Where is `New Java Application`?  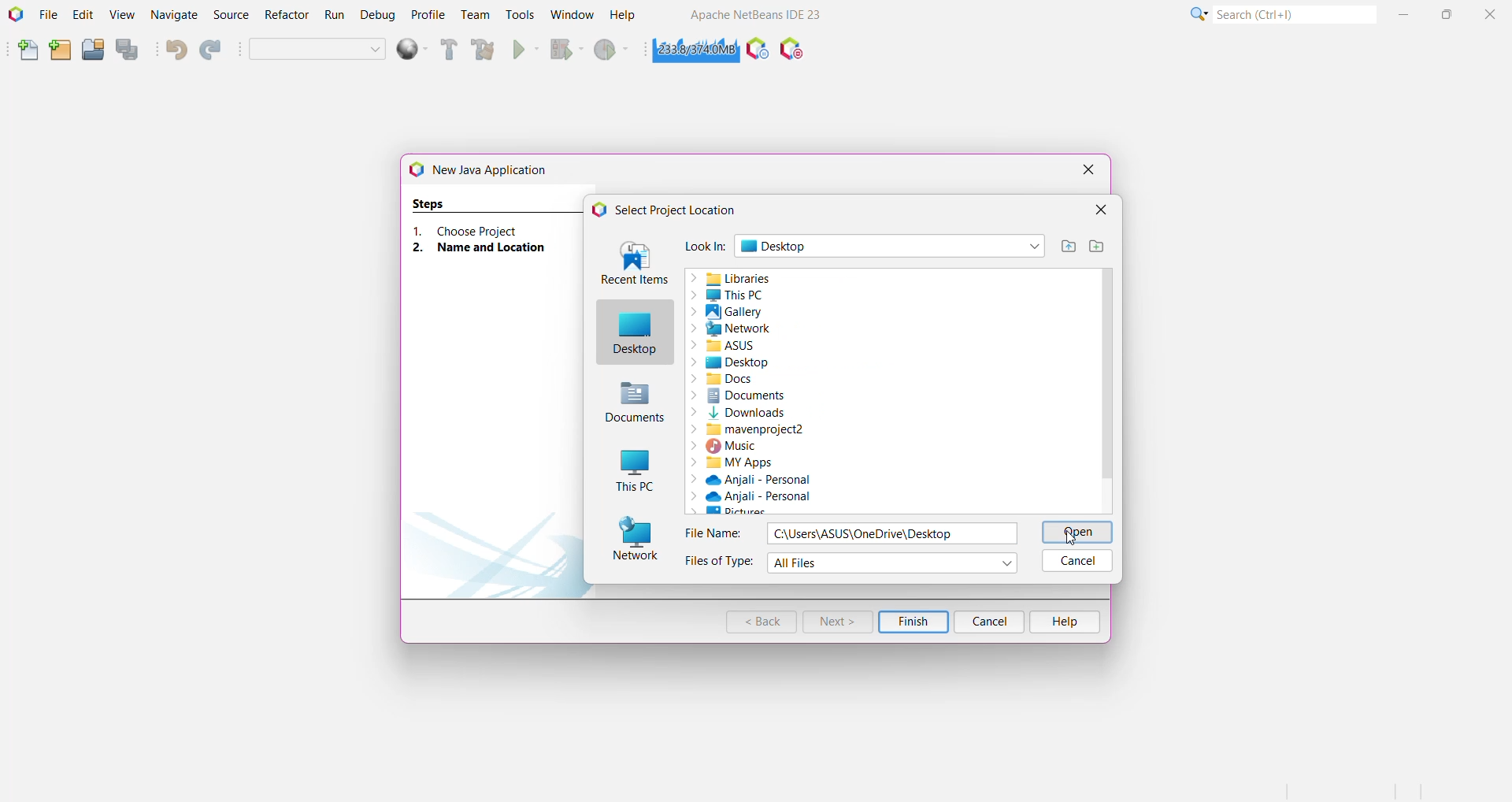
New Java Application is located at coordinates (488, 169).